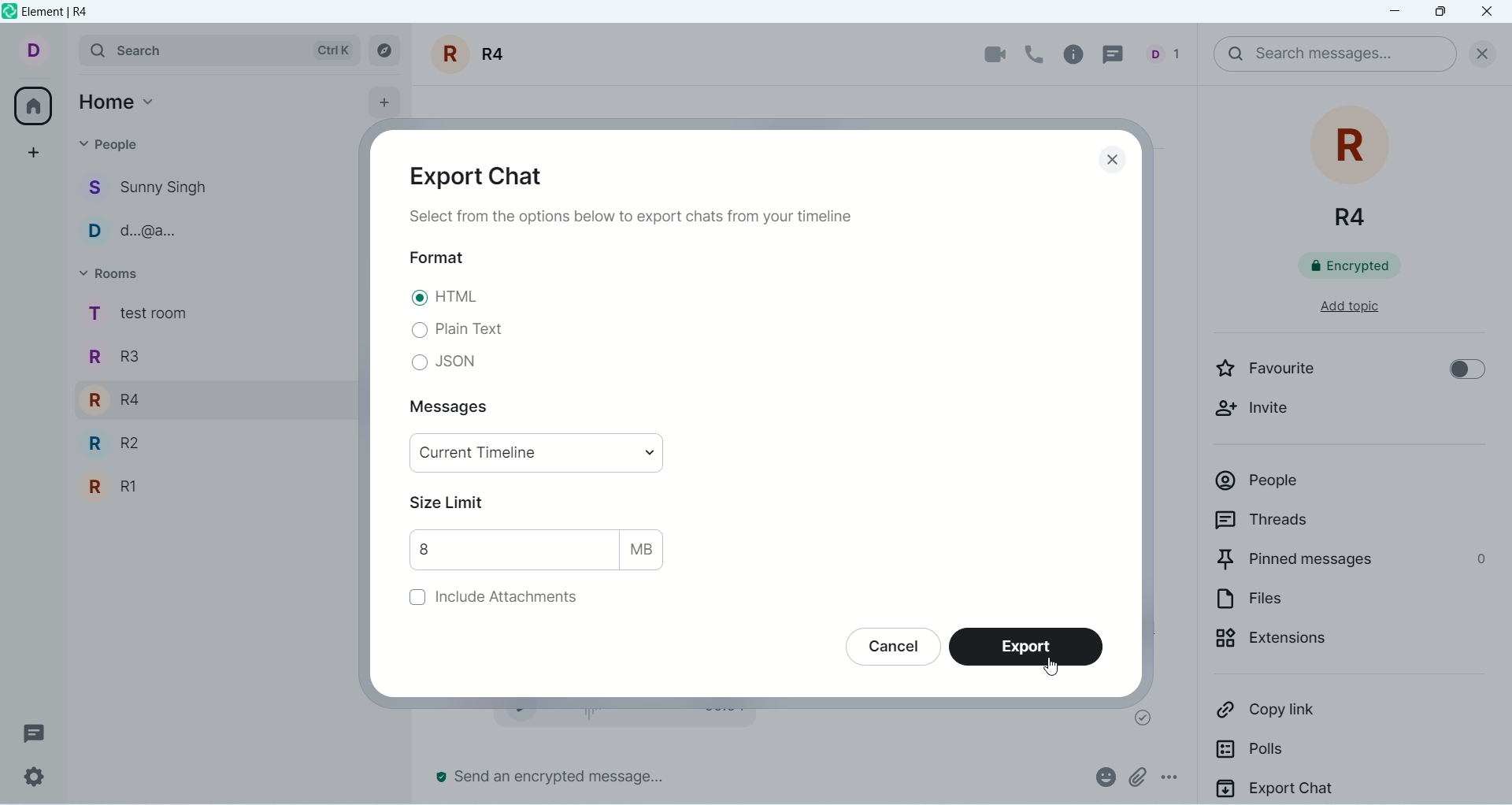  Describe the element at coordinates (218, 49) in the screenshot. I see `search` at that location.